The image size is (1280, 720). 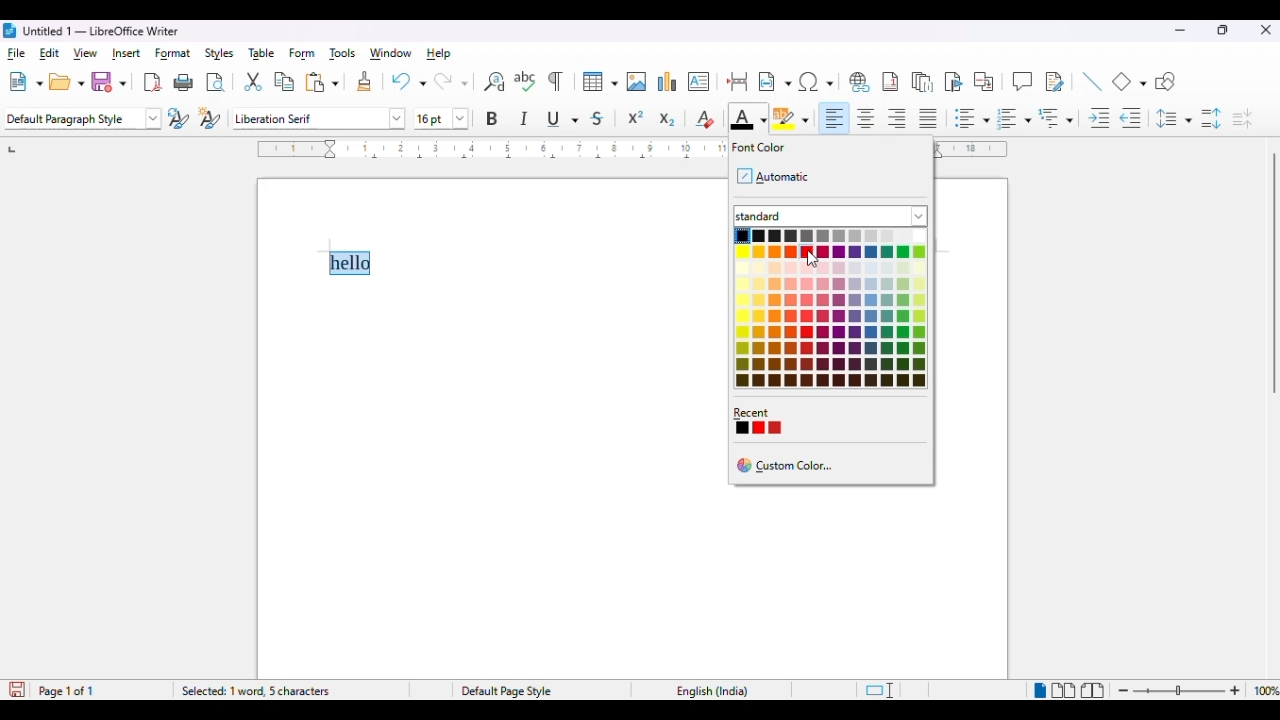 I want to click on insert comment, so click(x=1022, y=81).